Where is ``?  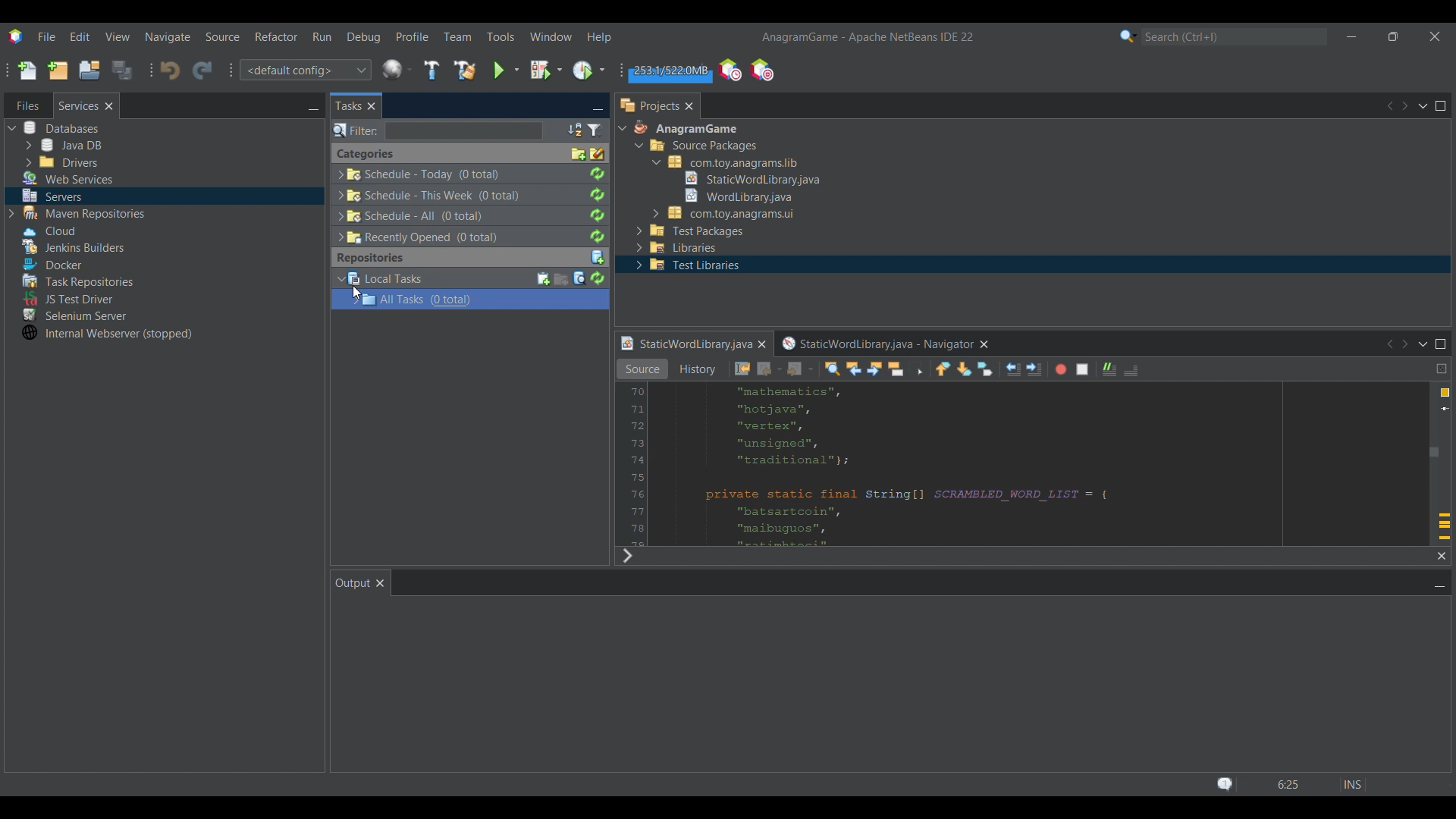
 is located at coordinates (467, 299).